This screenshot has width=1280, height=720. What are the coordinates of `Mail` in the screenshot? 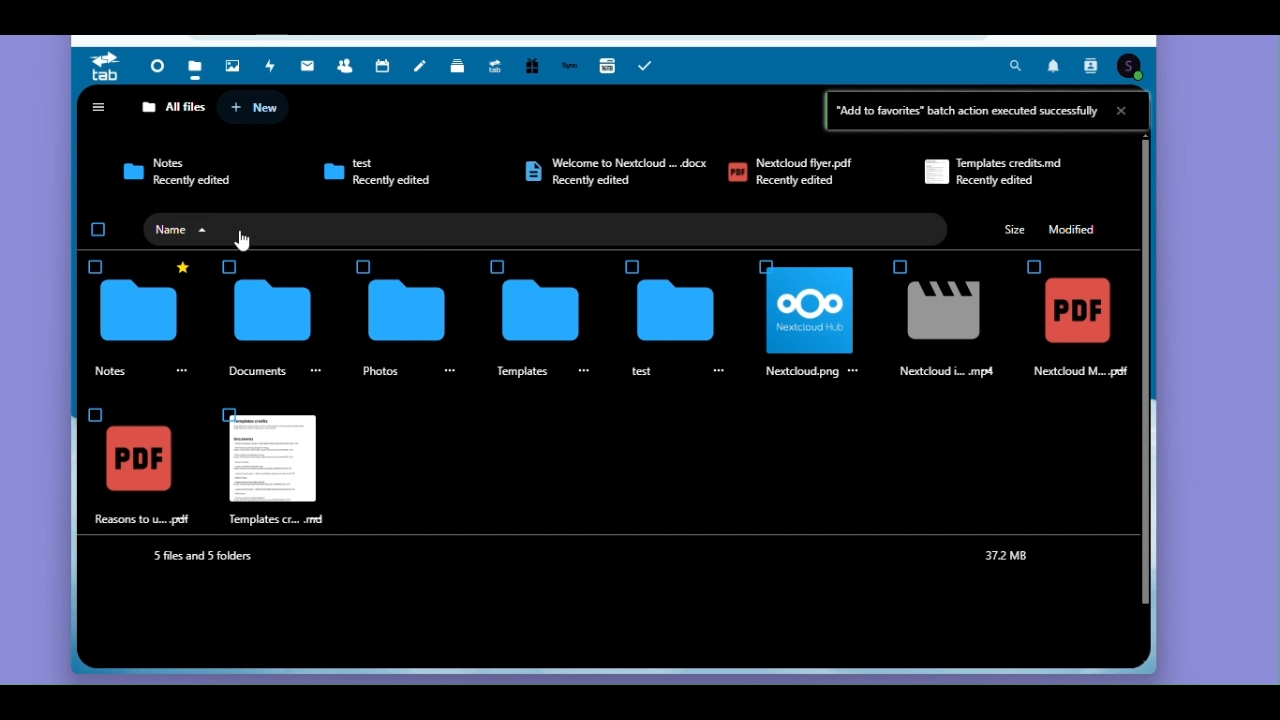 It's located at (307, 66).